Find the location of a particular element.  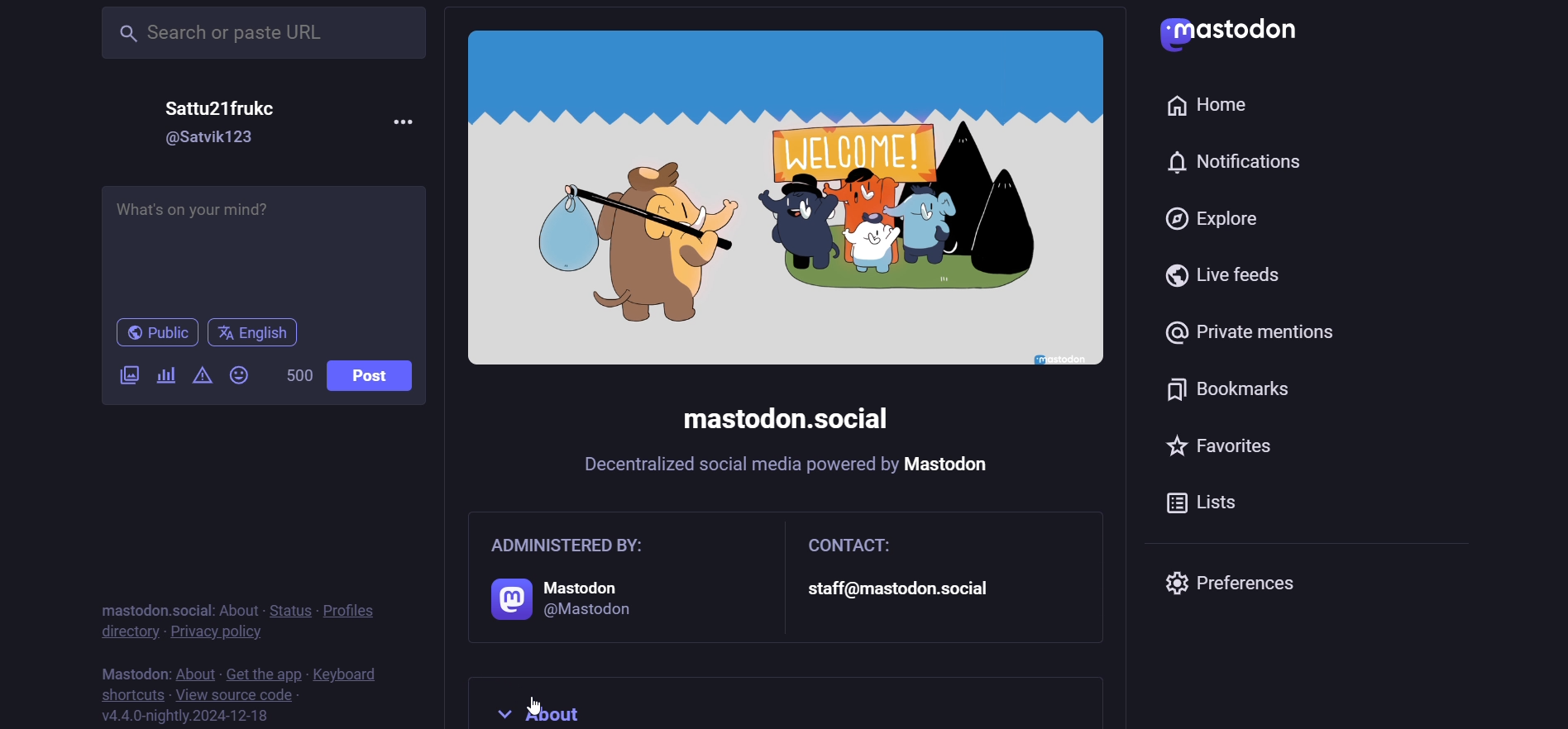

keyboard is located at coordinates (350, 674).